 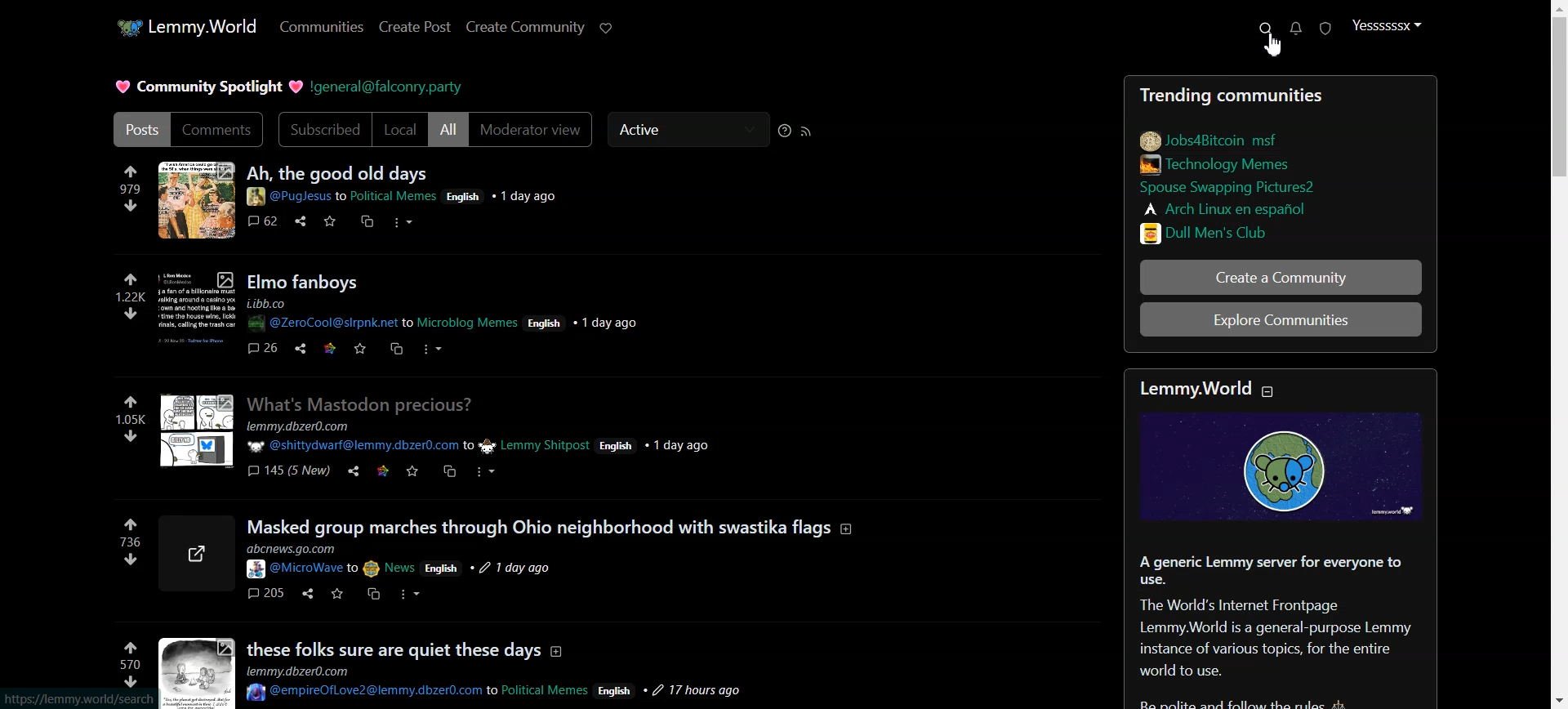 What do you see at coordinates (525, 26) in the screenshot?
I see `Create Community` at bounding box center [525, 26].